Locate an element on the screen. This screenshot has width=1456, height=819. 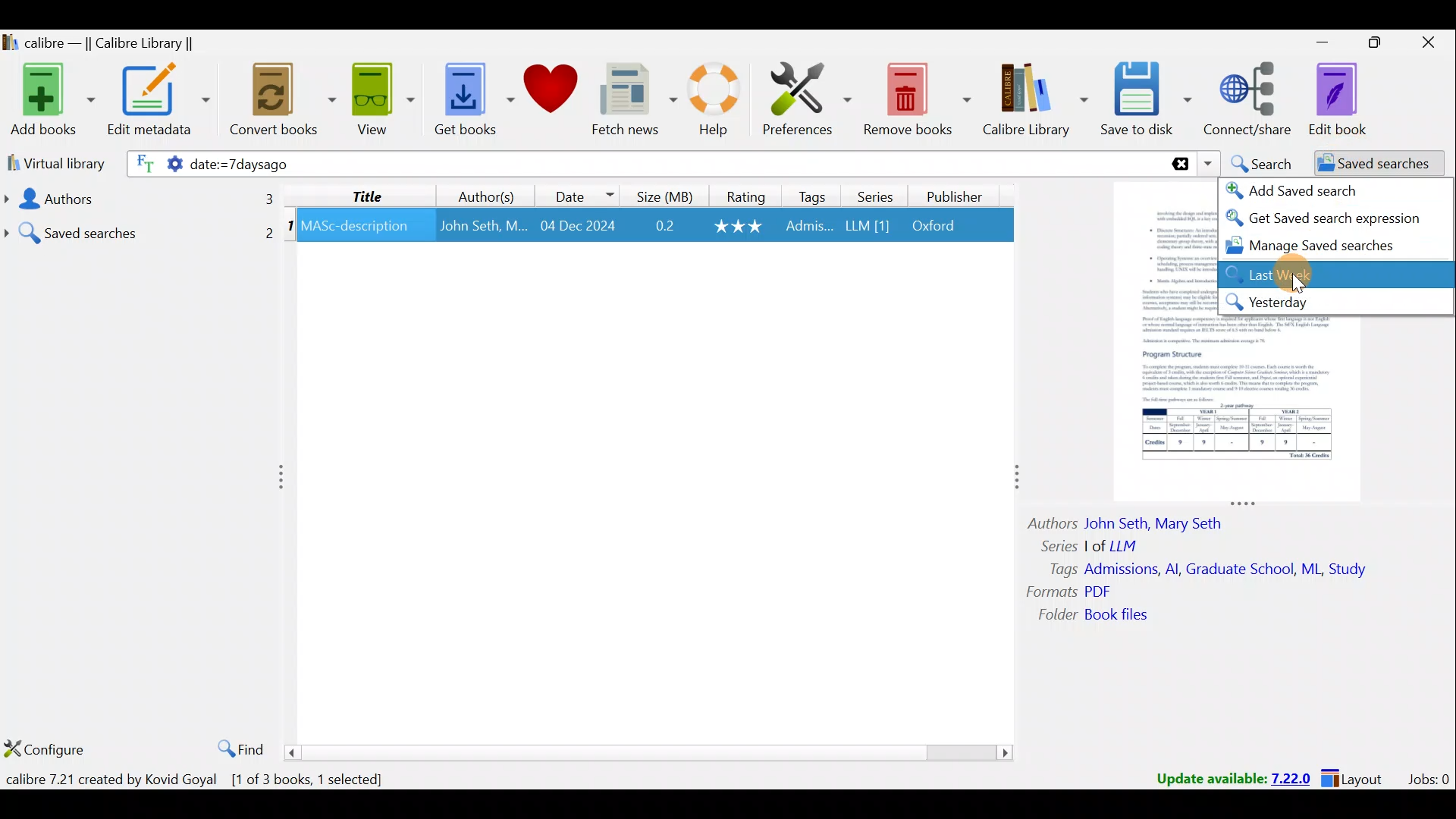
Search settings is located at coordinates (153, 166).